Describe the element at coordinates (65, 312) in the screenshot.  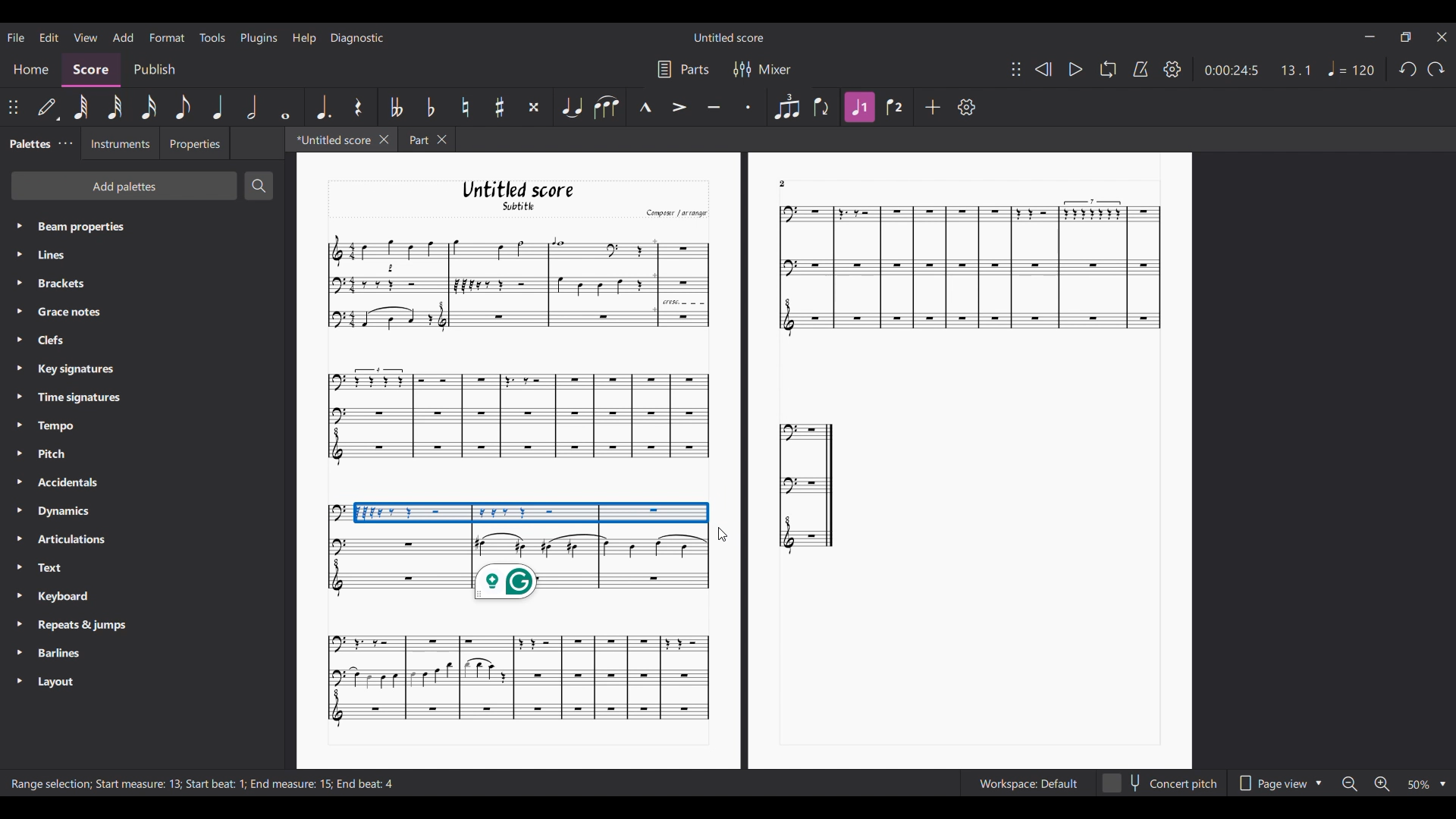
I see `» Grace notes` at that location.